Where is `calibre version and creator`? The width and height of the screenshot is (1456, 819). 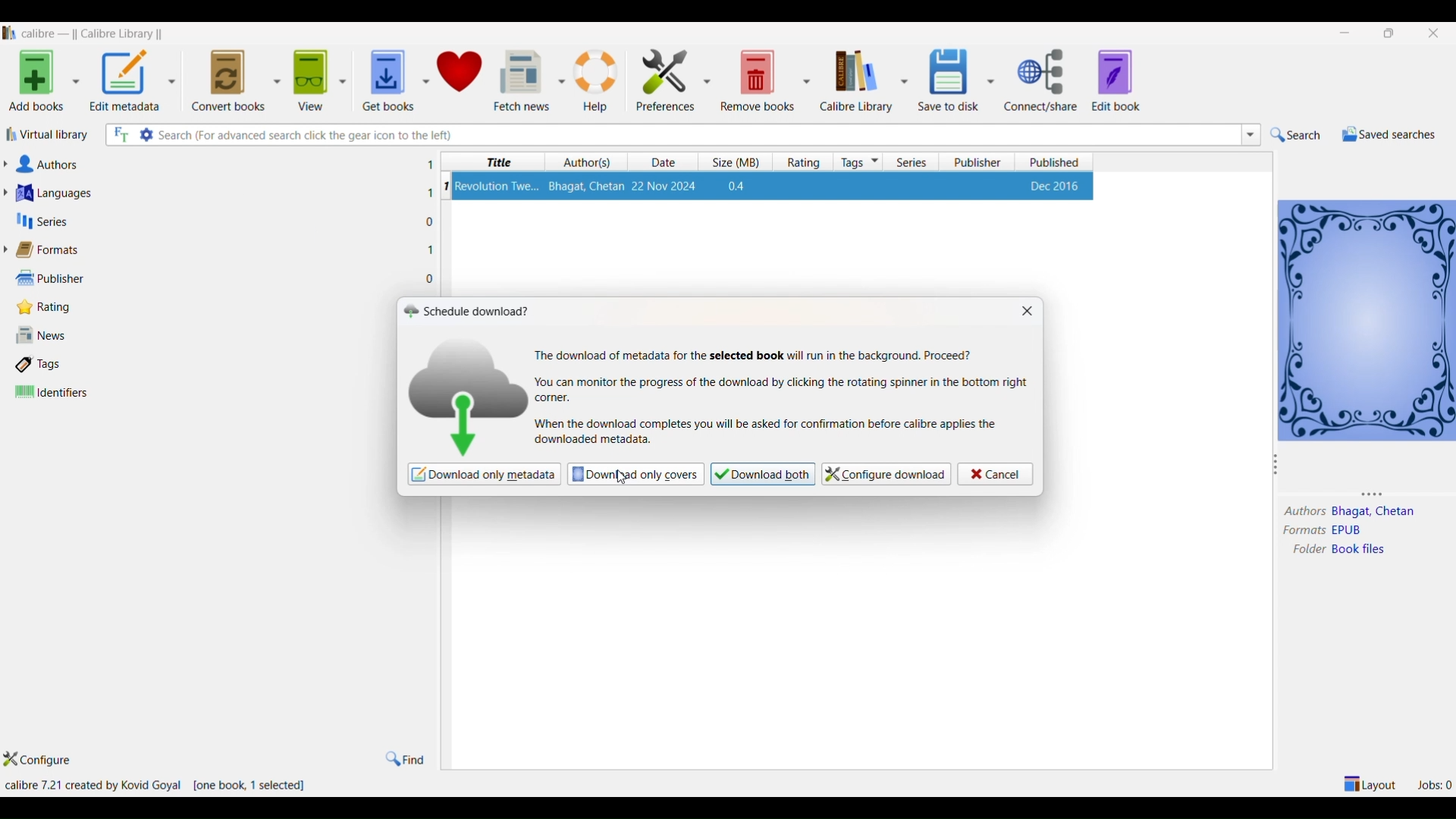
calibre version and creator is located at coordinates (95, 786).